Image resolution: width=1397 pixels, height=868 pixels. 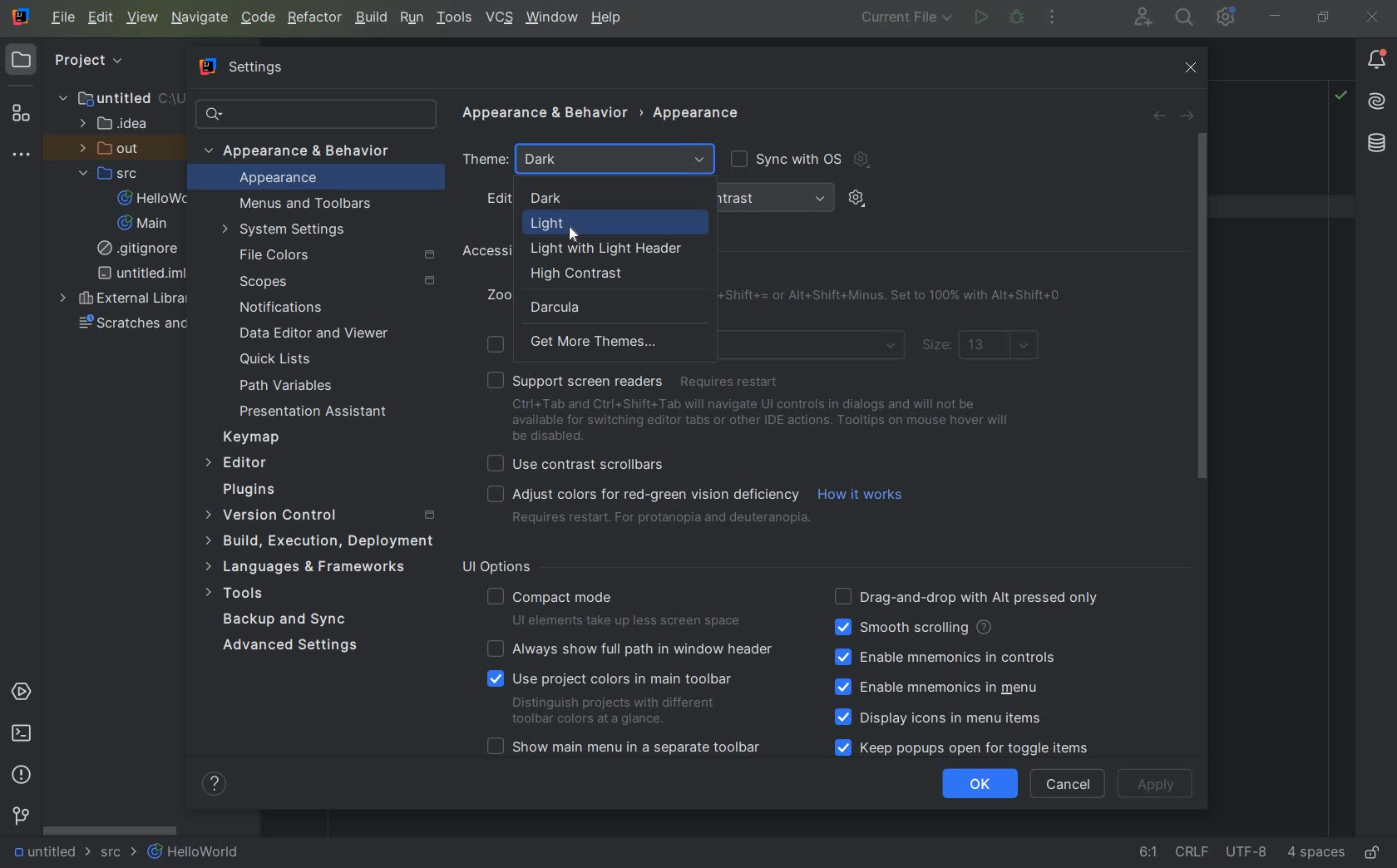 I want to click on 4spaces(indent), so click(x=1318, y=855).